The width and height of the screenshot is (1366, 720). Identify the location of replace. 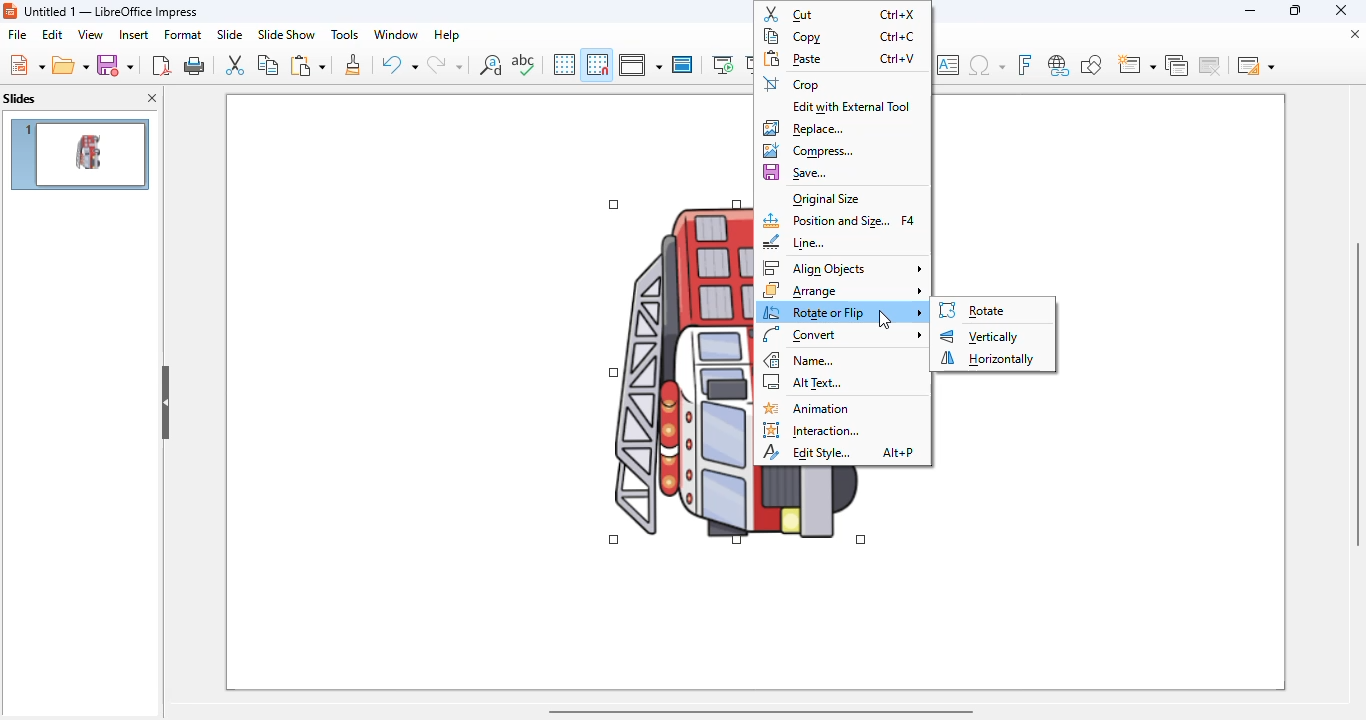
(803, 128).